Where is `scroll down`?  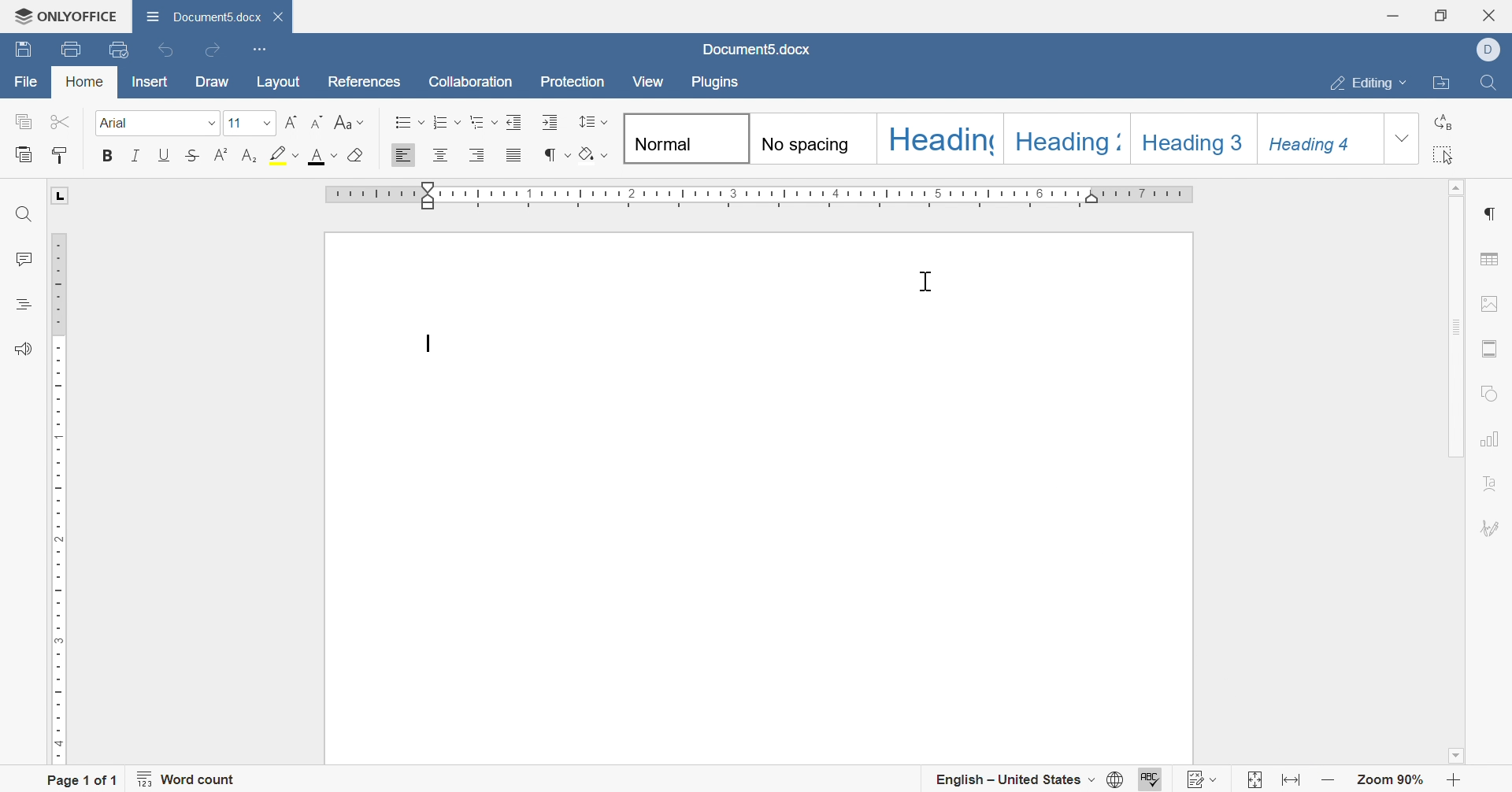 scroll down is located at coordinates (1454, 755).